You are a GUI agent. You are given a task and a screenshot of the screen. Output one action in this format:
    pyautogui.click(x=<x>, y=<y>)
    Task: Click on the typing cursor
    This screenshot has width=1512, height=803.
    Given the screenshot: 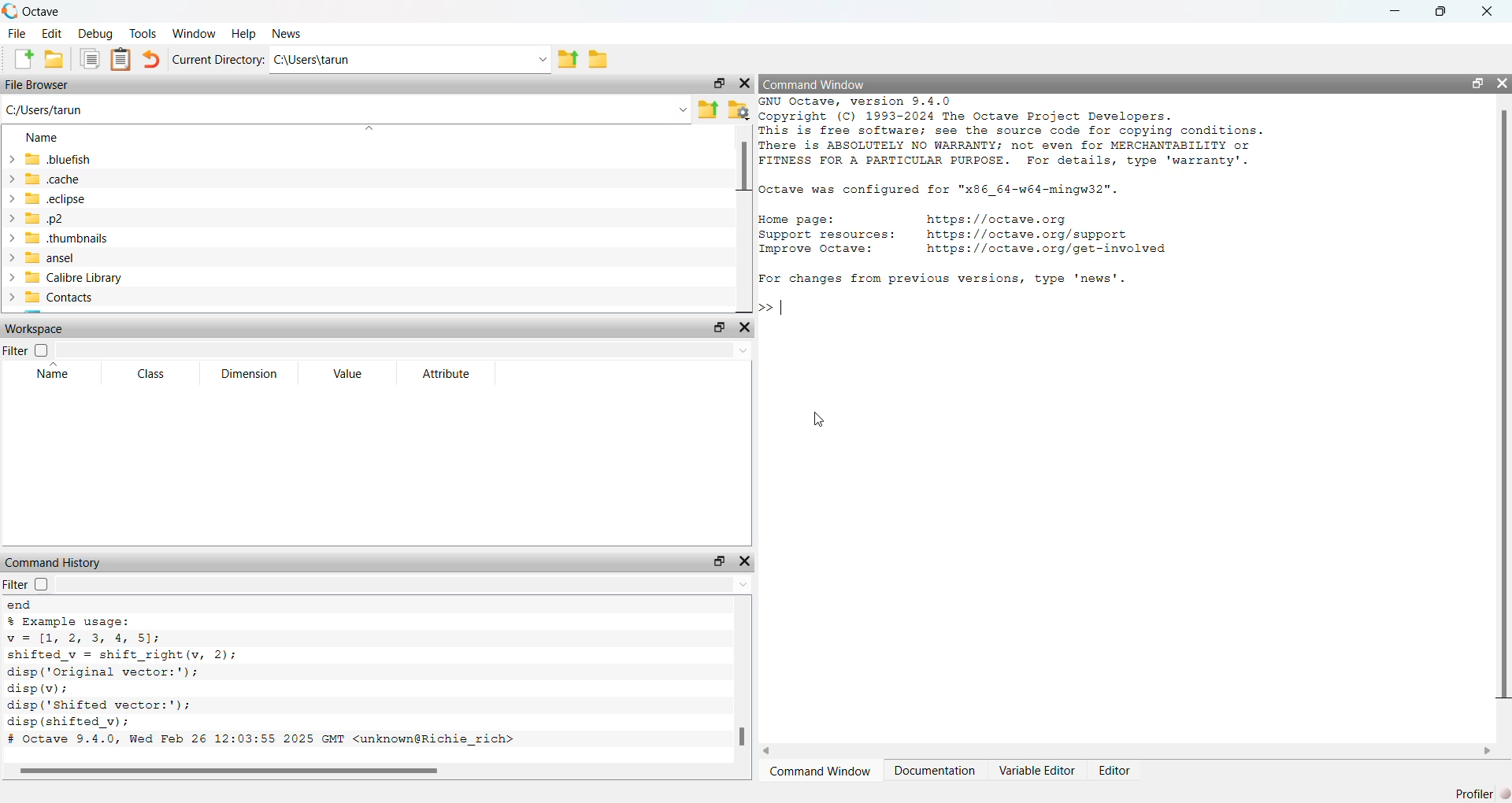 What is the action you would take?
    pyautogui.click(x=784, y=305)
    